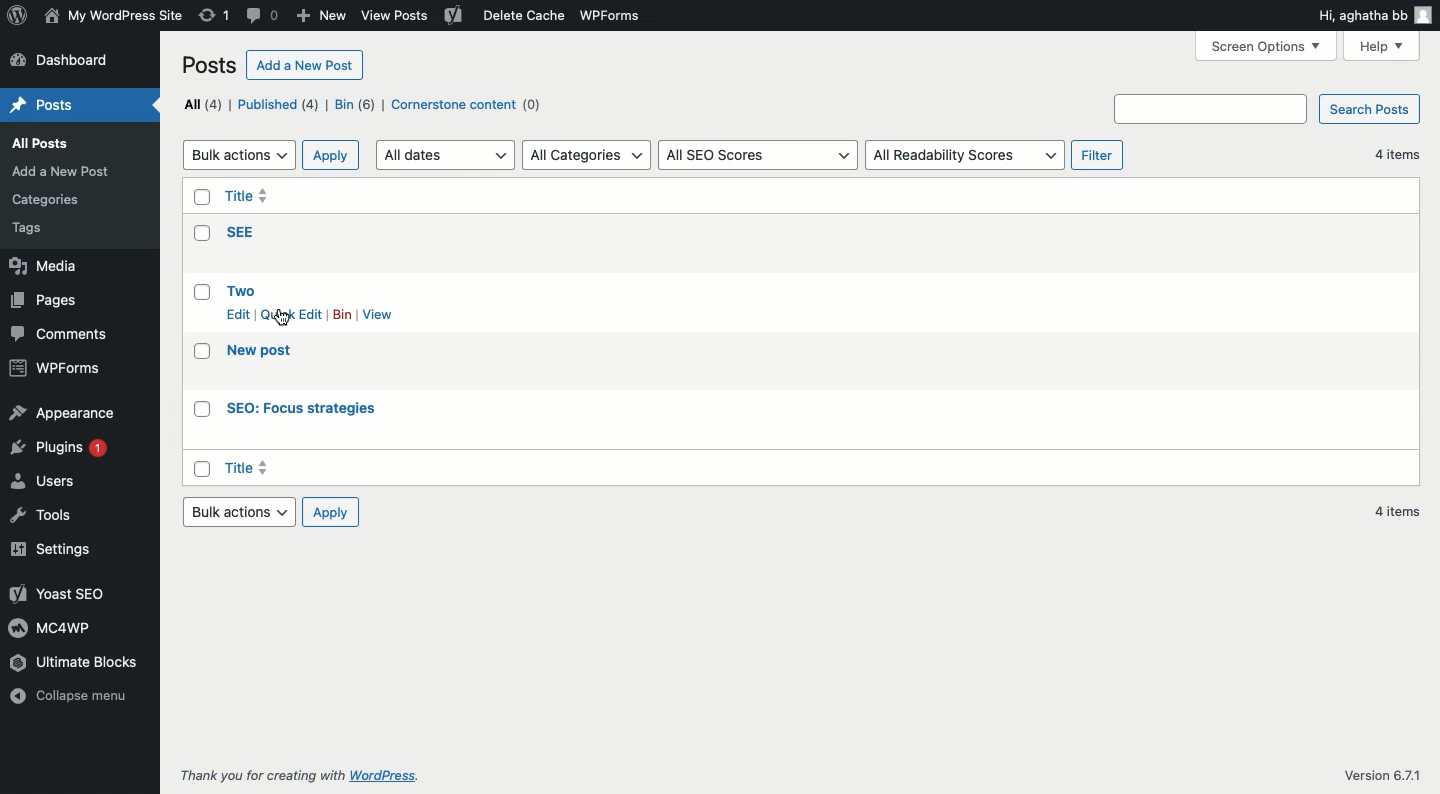  I want to click on Bin, so click(344, 314).